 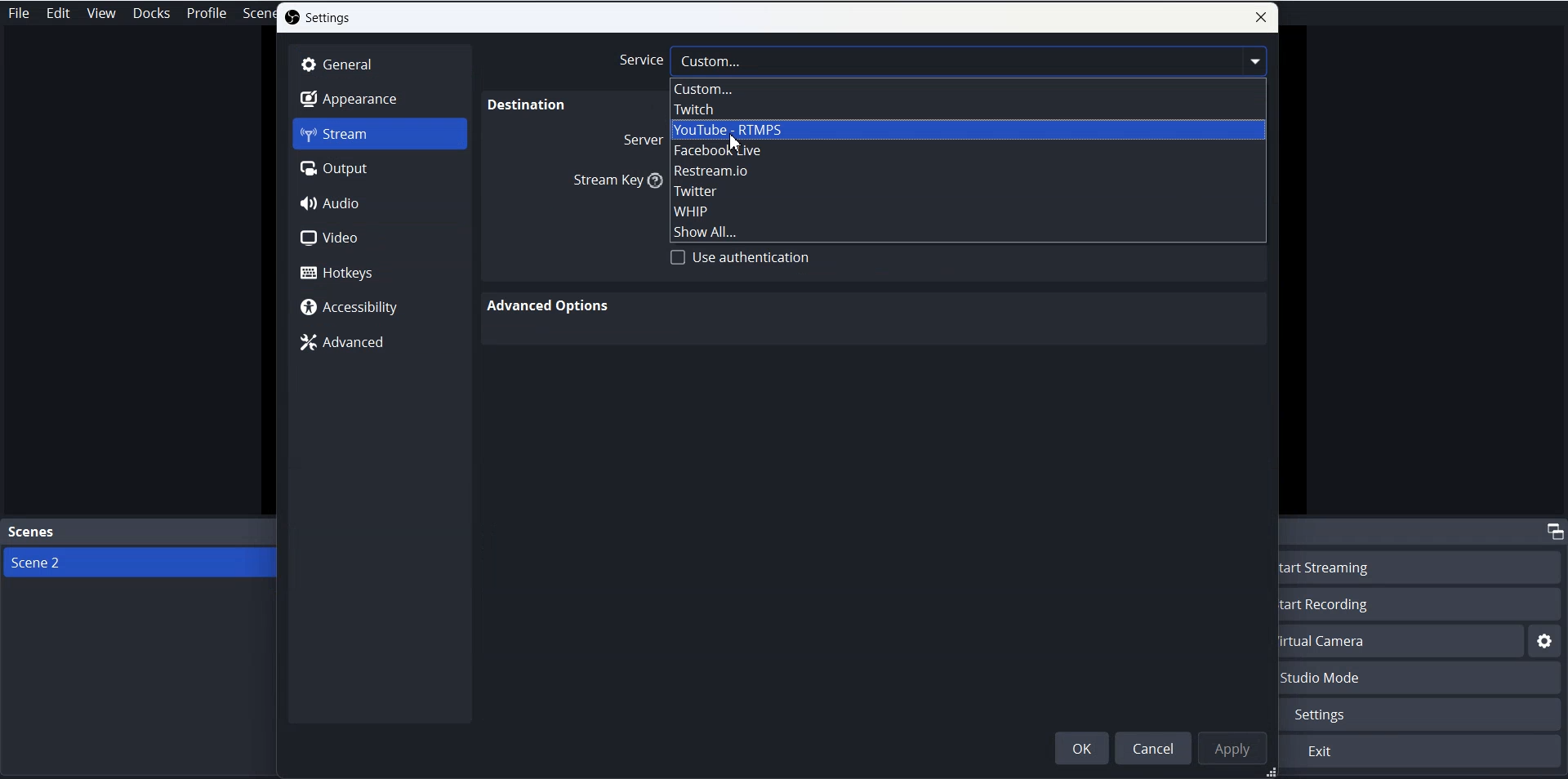 What do you see at coordinates (965, 170) in the screenshot?
I see `Restream.io` at bounding box center [965, 170].